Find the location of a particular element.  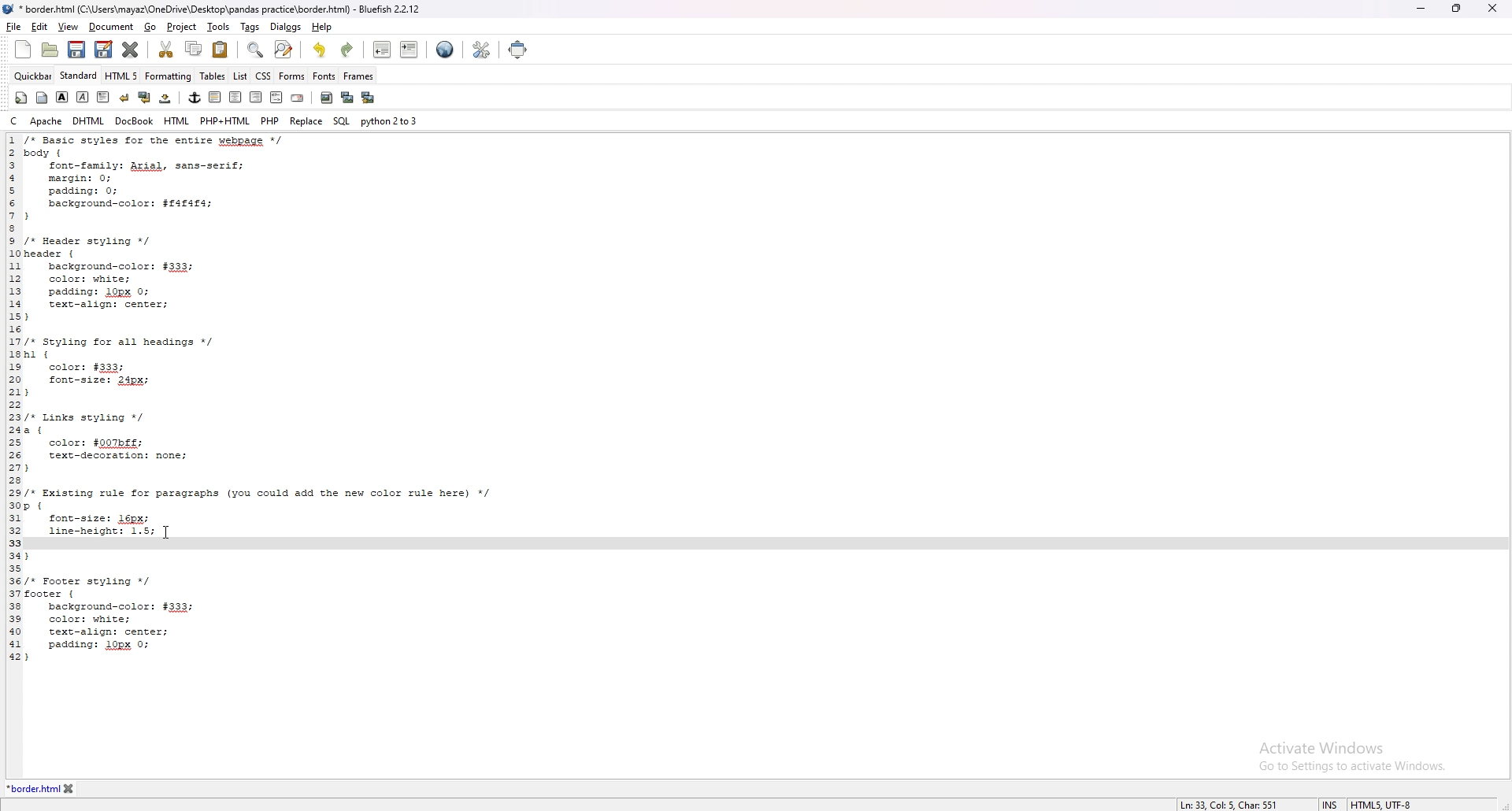

tab is located at coordinates (31, 787).